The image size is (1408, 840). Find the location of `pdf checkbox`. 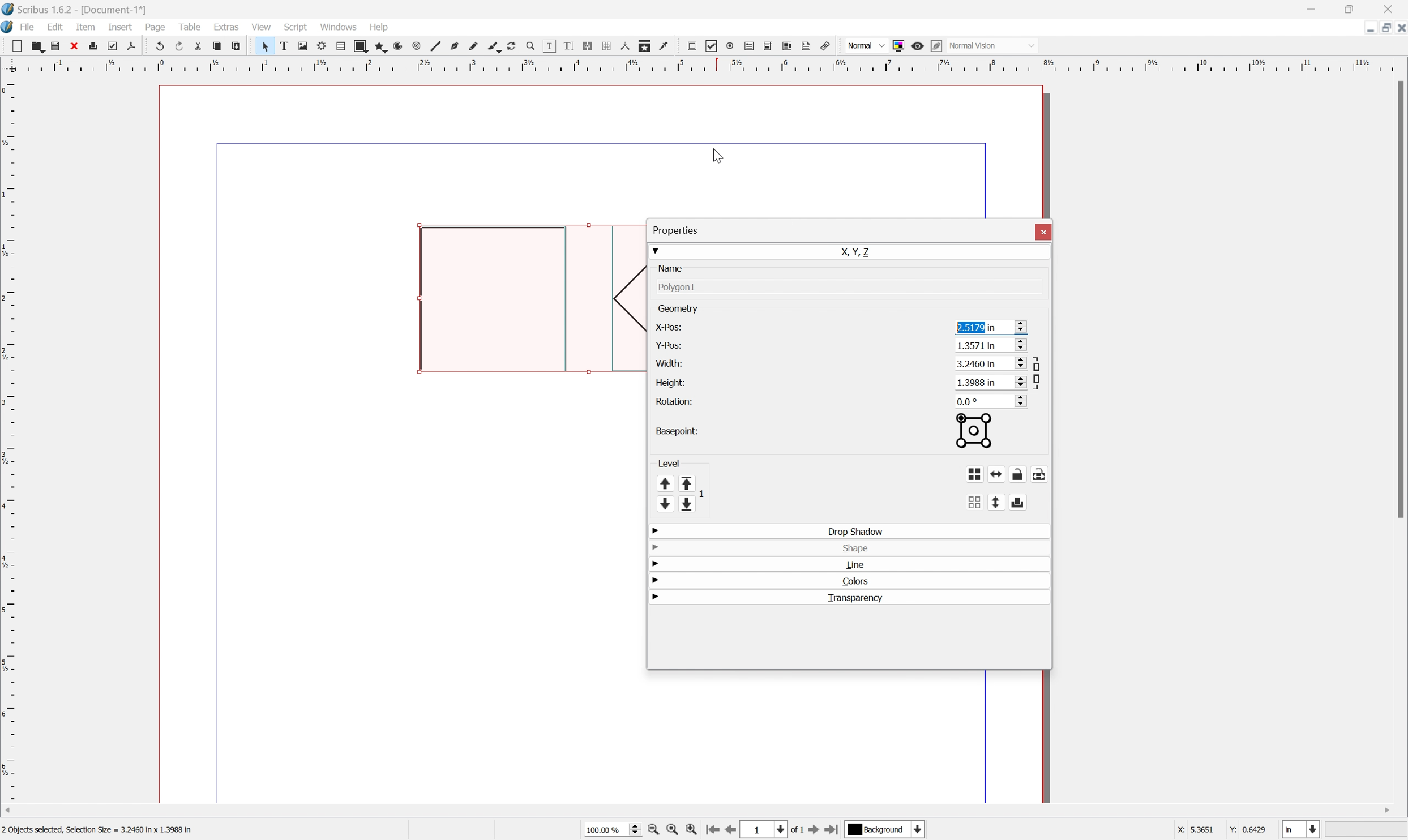

pdf checkbox is located at coordinates (711, 46).